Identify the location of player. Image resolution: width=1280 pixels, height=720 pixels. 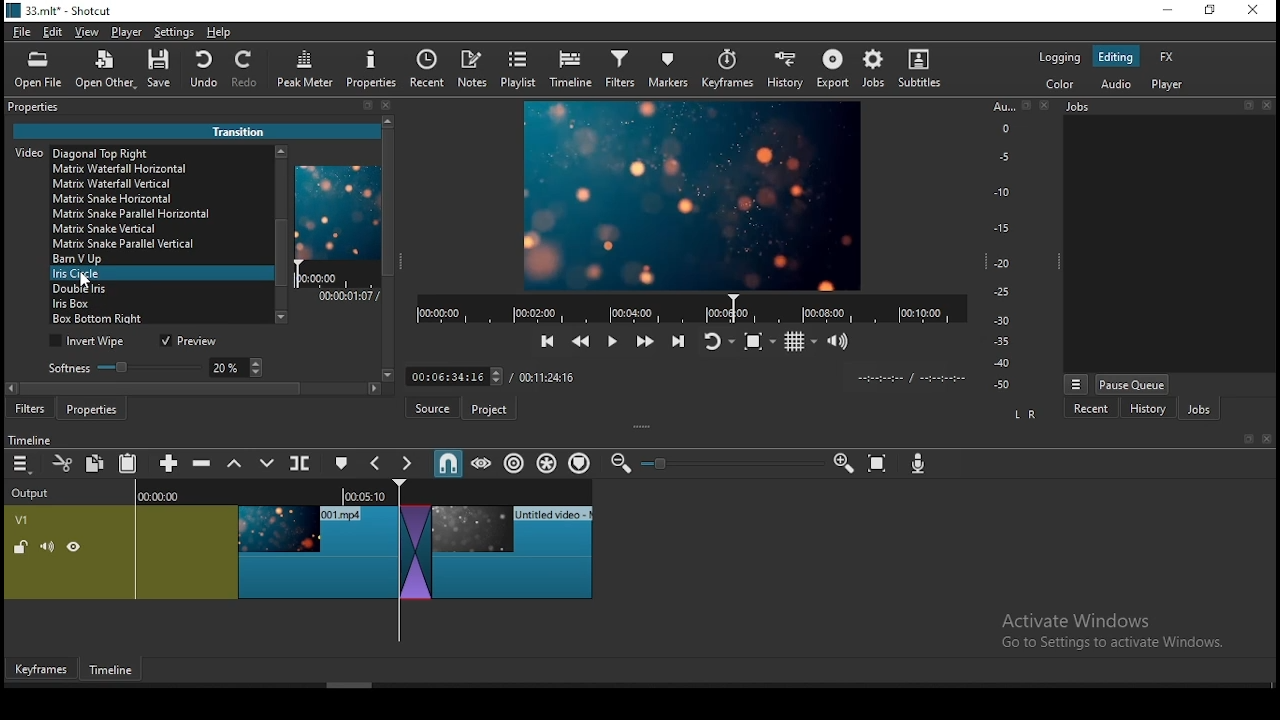
(1168, 86).